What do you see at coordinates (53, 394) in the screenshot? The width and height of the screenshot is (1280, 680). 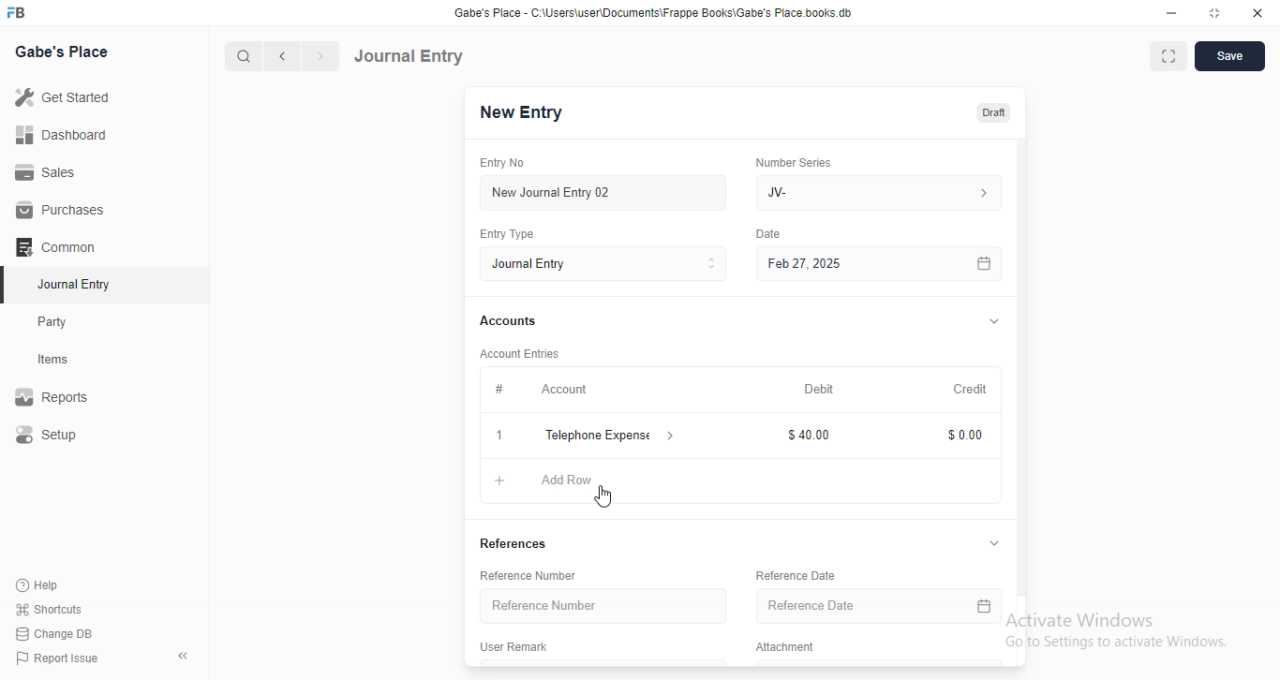 I see `Reports` at bounding box center [53, 394].